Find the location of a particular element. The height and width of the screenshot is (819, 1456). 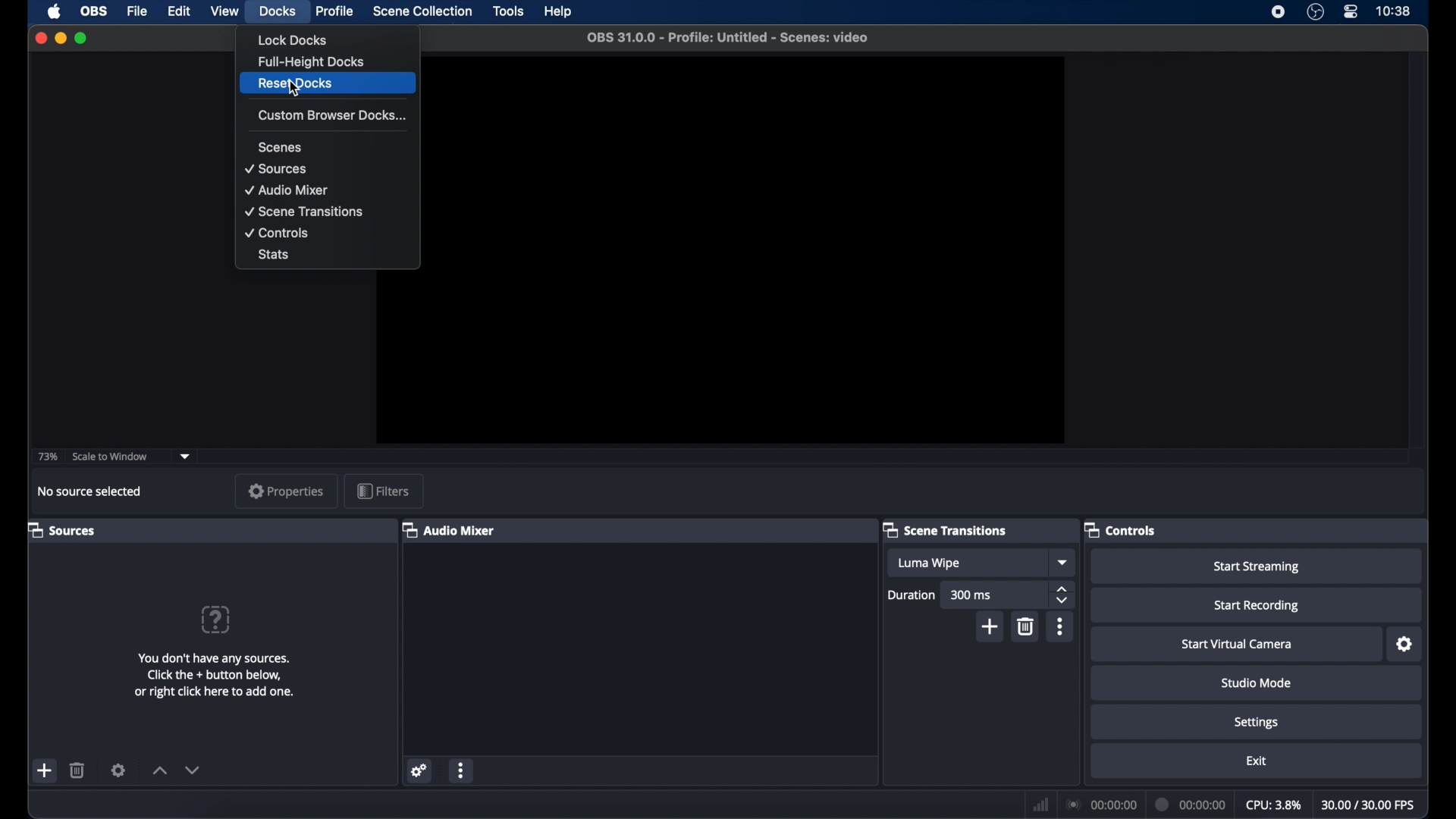

edit is located at coordinates (177, 11).